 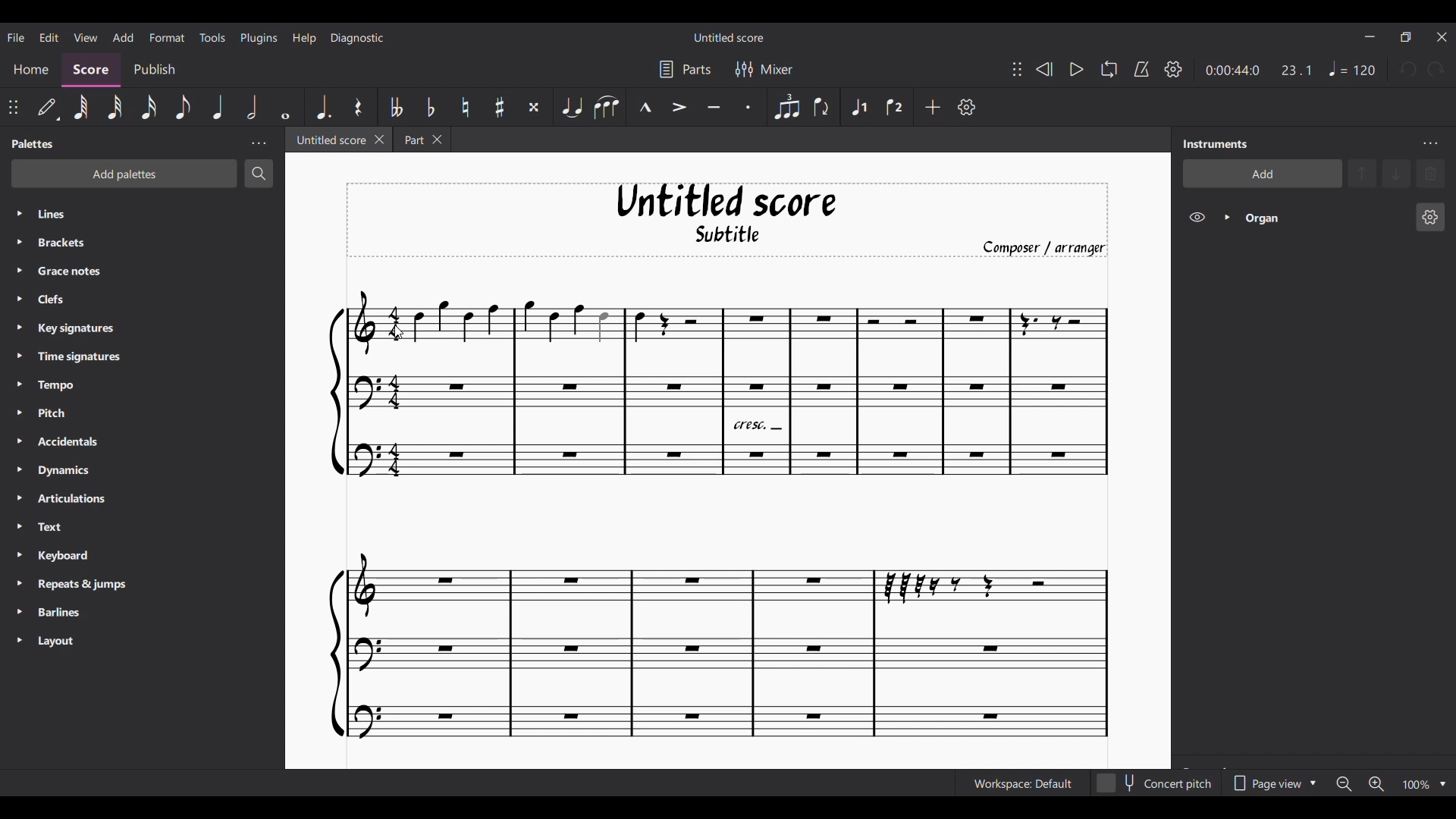 I want to click on Earlier tab, so click(x=422, y=139).